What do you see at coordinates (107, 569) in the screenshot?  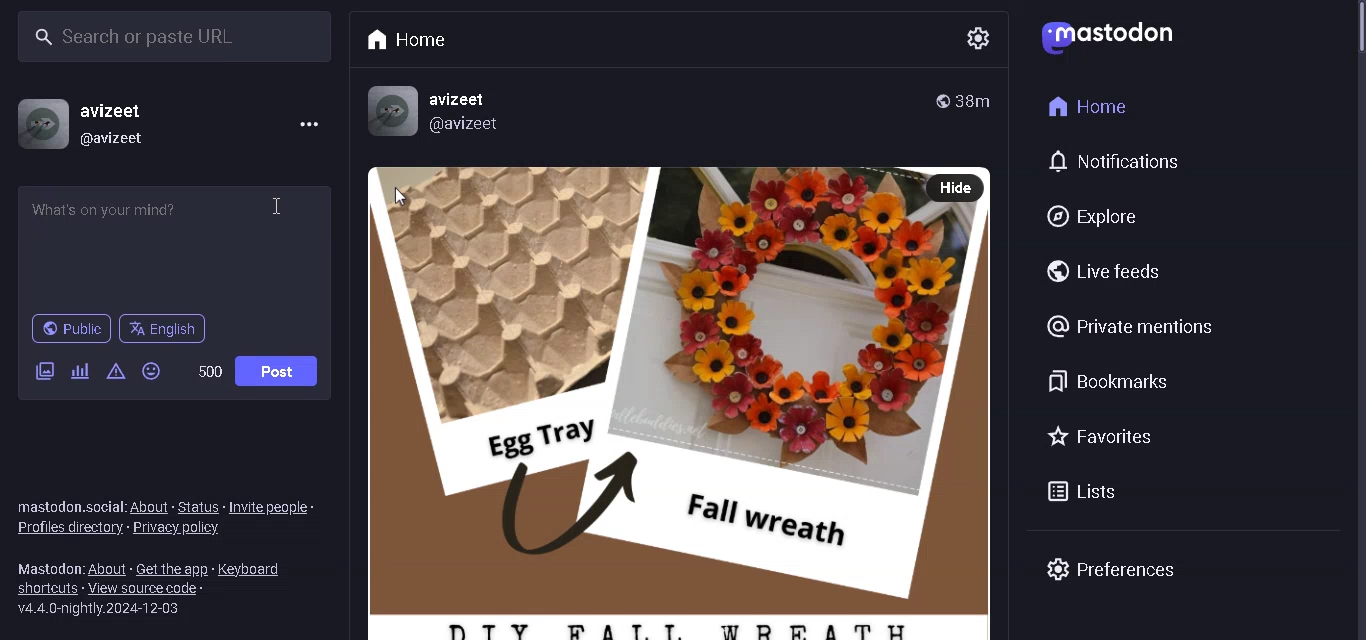 I see `about` at bounding box center [107, 569].